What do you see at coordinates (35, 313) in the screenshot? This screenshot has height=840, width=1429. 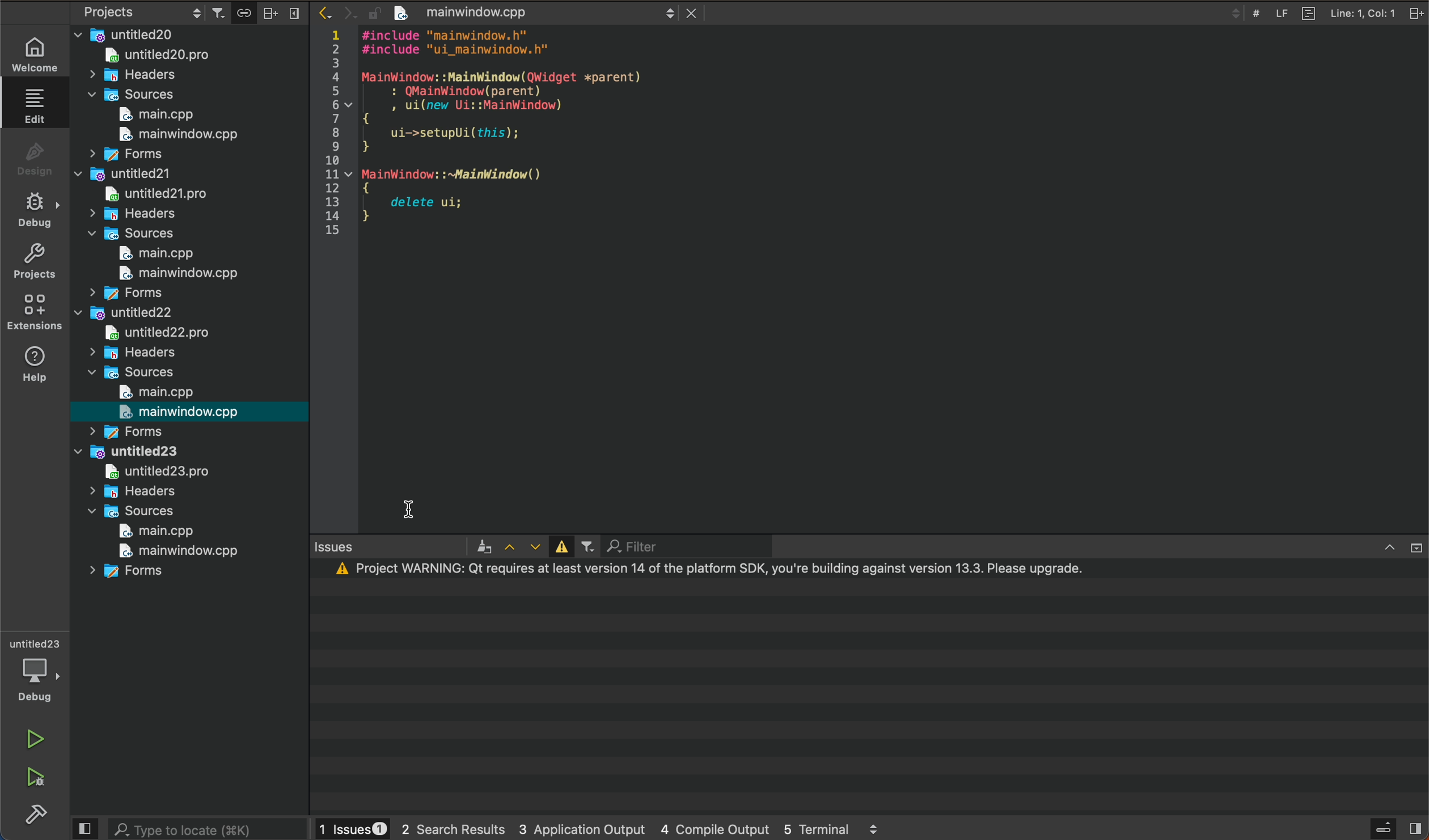 I see `extensions` at bounding box center [35, 313].